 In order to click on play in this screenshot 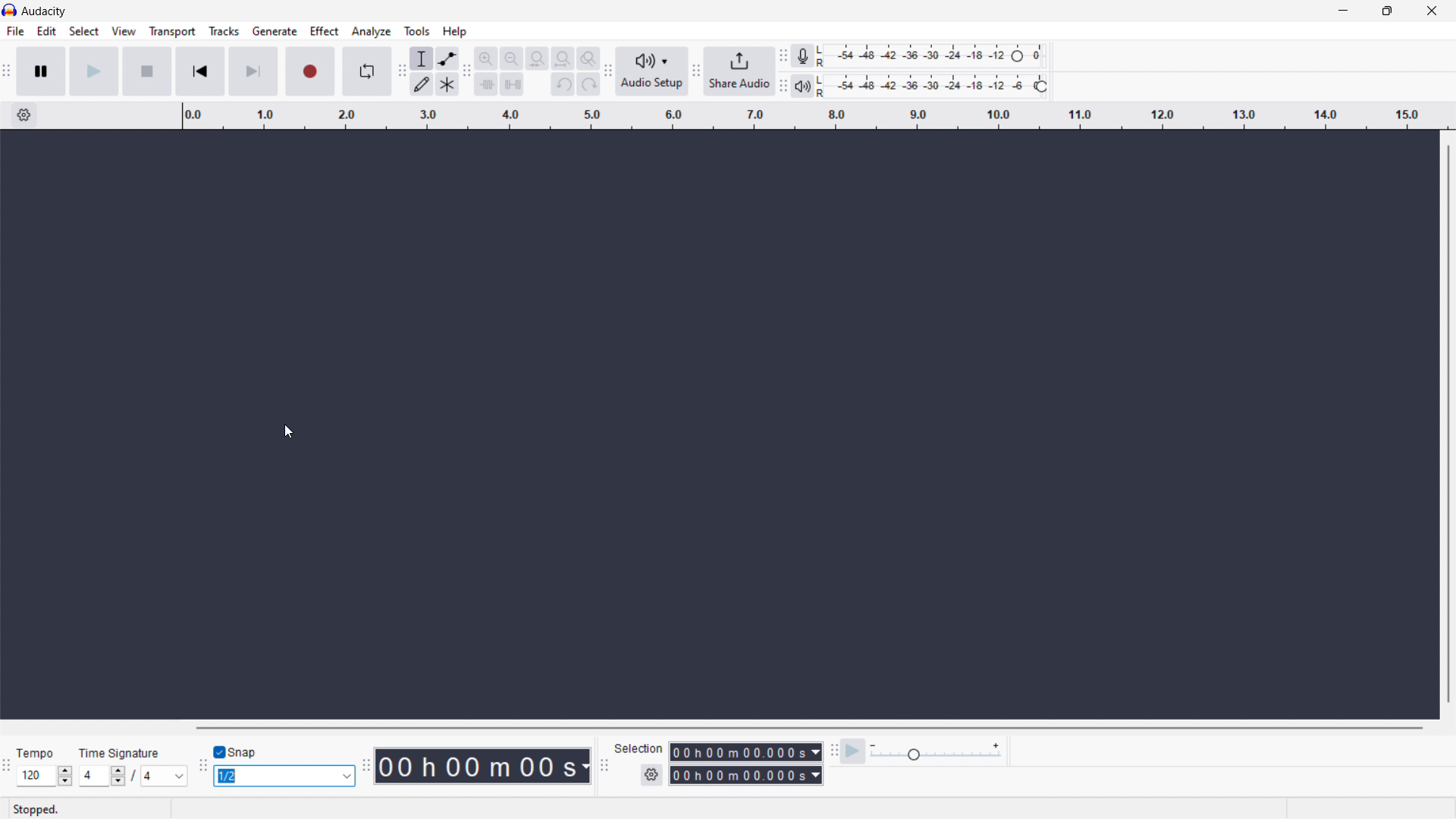, I will do `click(93, 71)`.